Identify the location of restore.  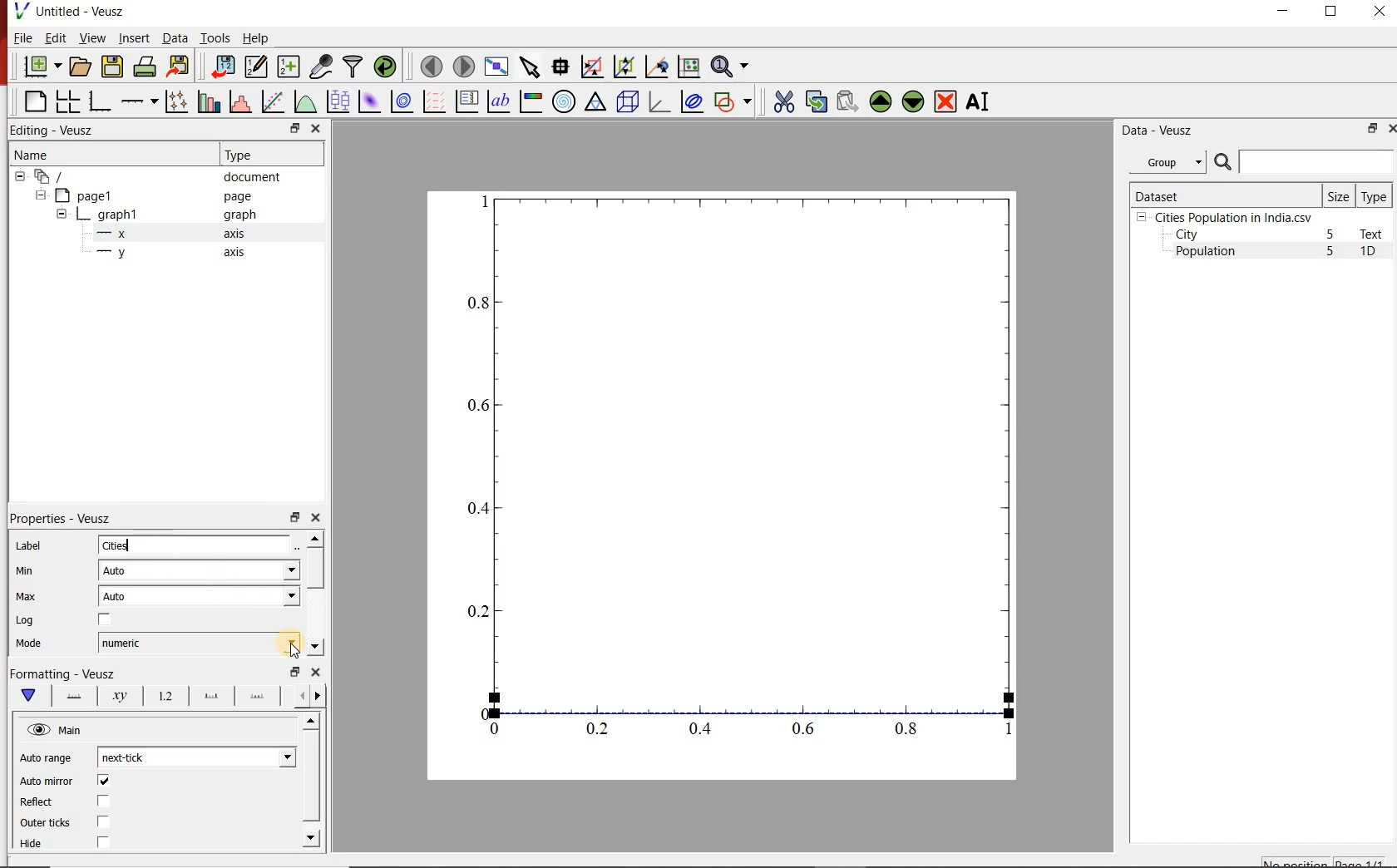
(294, 516).